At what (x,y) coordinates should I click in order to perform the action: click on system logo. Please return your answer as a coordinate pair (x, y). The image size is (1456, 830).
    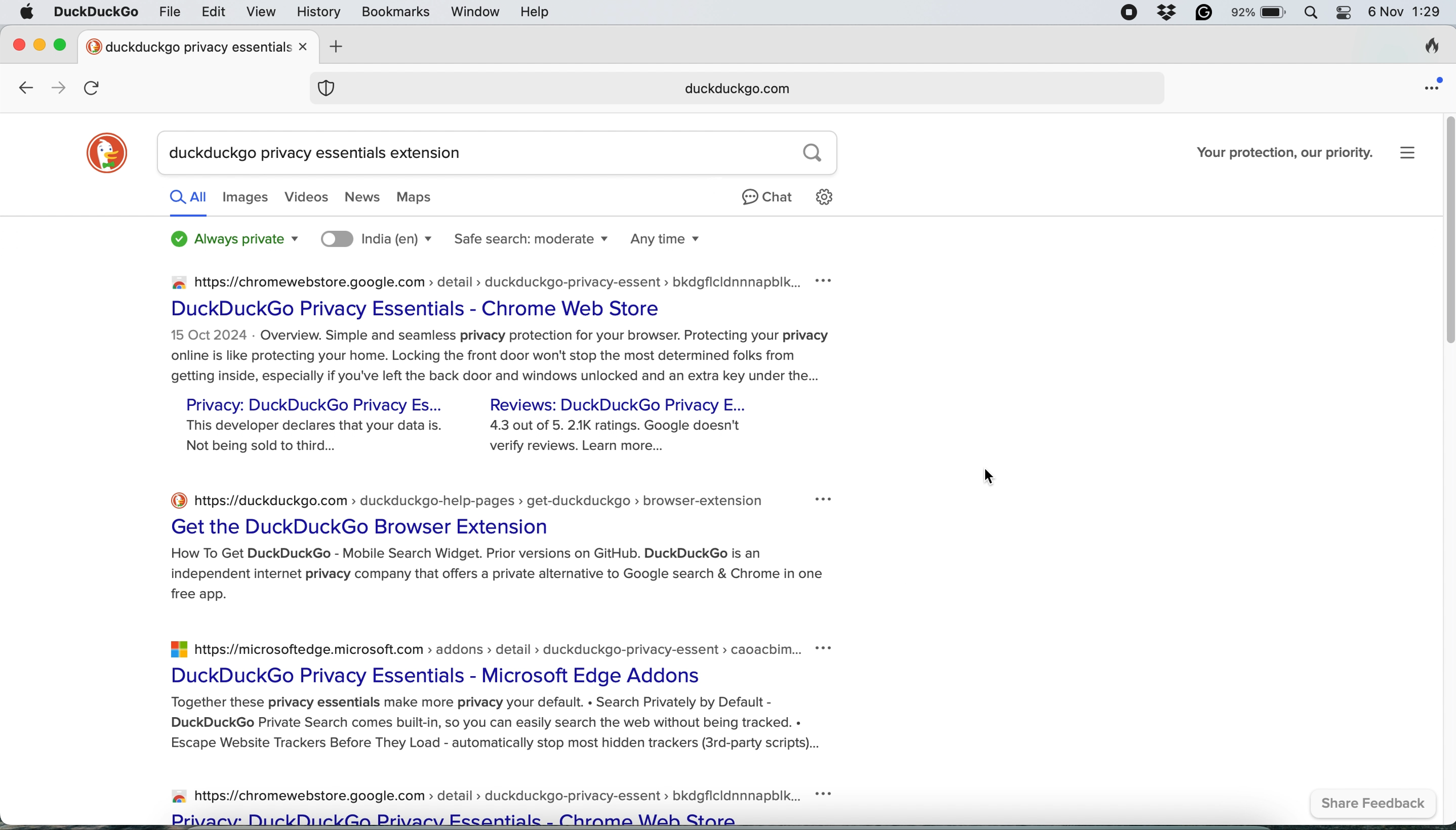
    Looking at the image, I should click on (27, 12).